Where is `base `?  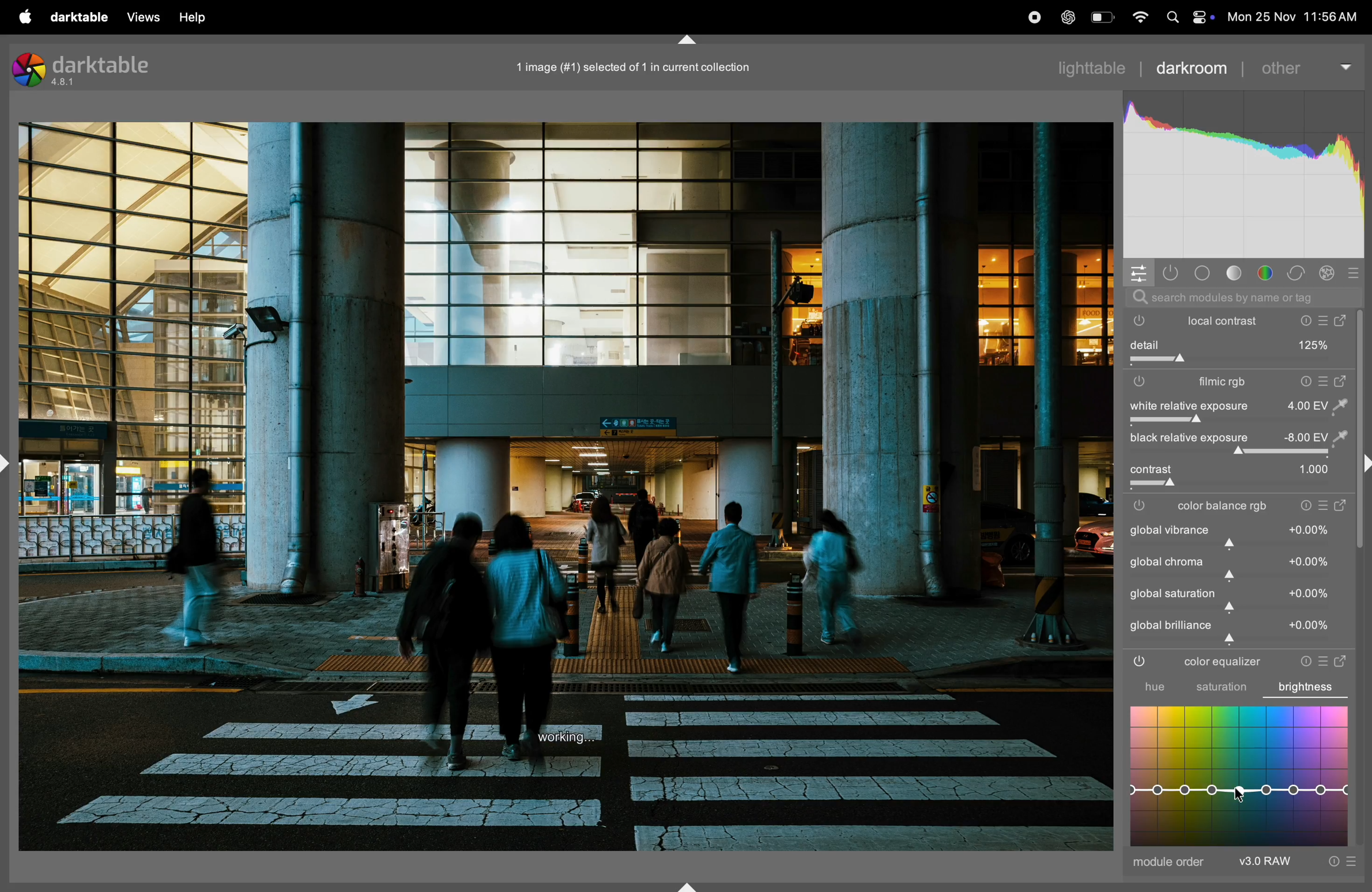 base  is located at coordinates (1201, 270).